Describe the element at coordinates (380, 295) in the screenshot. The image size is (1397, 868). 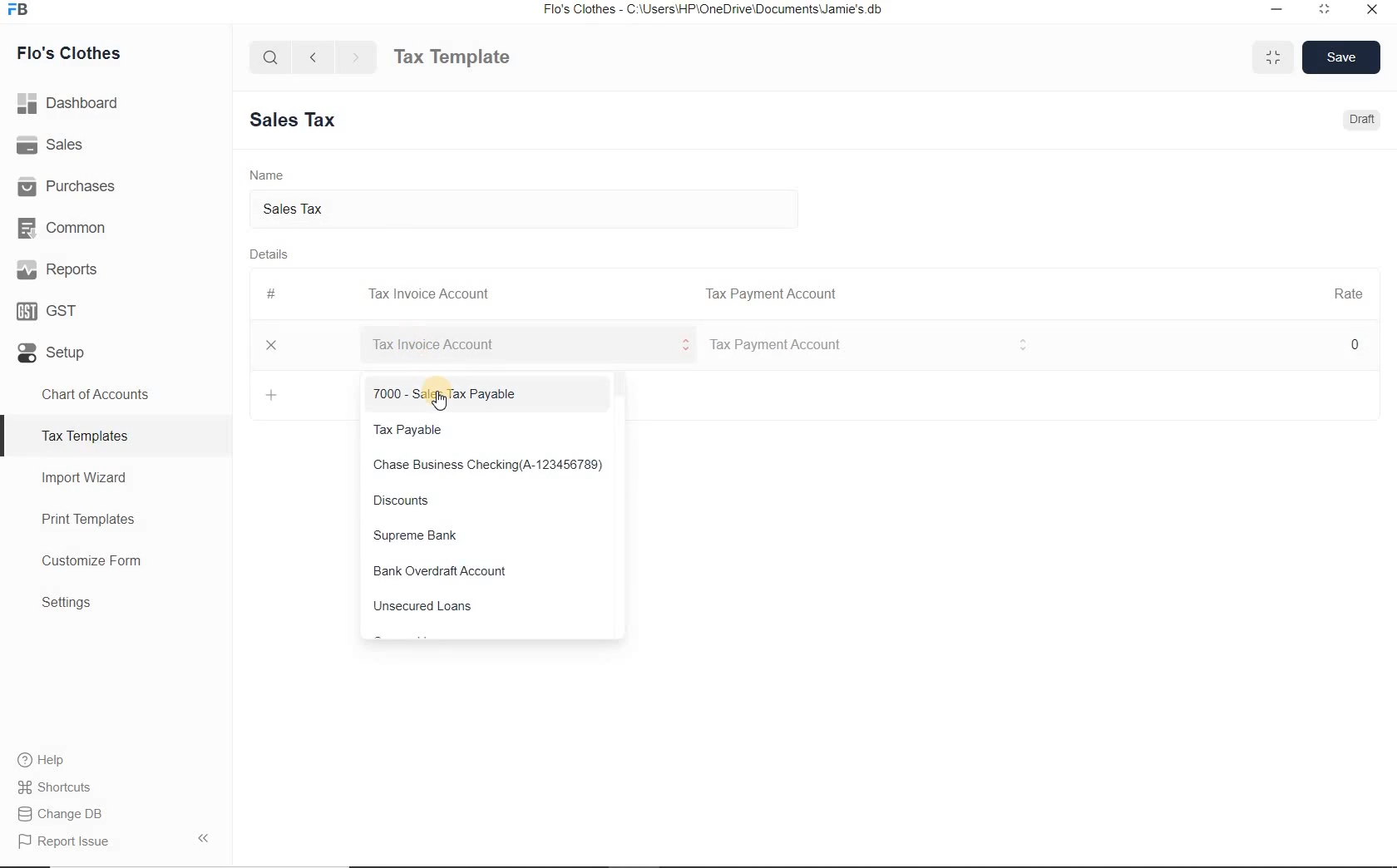
I see `# Tax Invoice Account` at that location.